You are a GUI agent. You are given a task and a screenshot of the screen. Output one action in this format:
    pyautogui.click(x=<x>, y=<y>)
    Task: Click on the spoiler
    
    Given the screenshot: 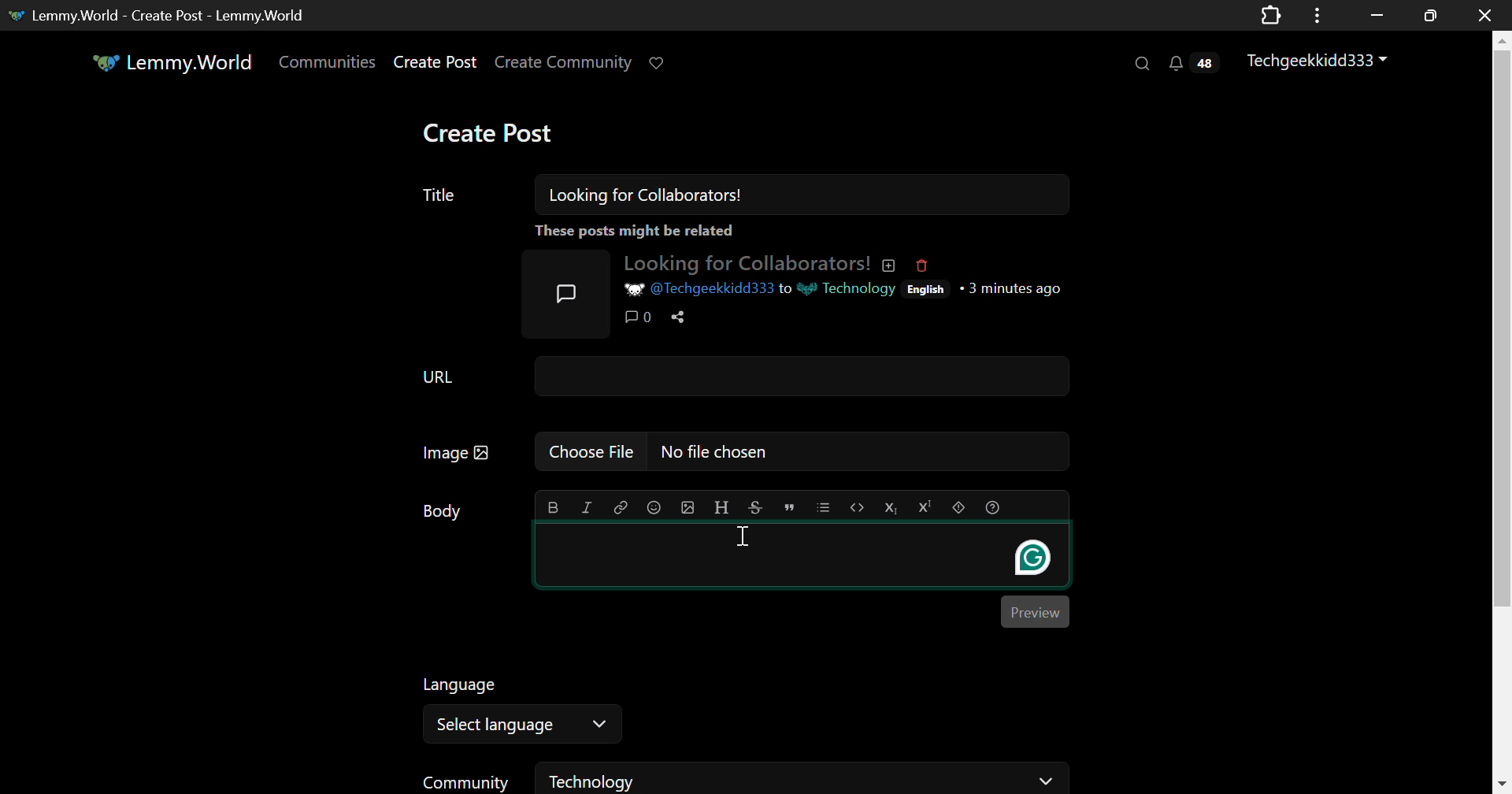 What is the action you would take?
    pyautogui.click(x=958, y=506)
    